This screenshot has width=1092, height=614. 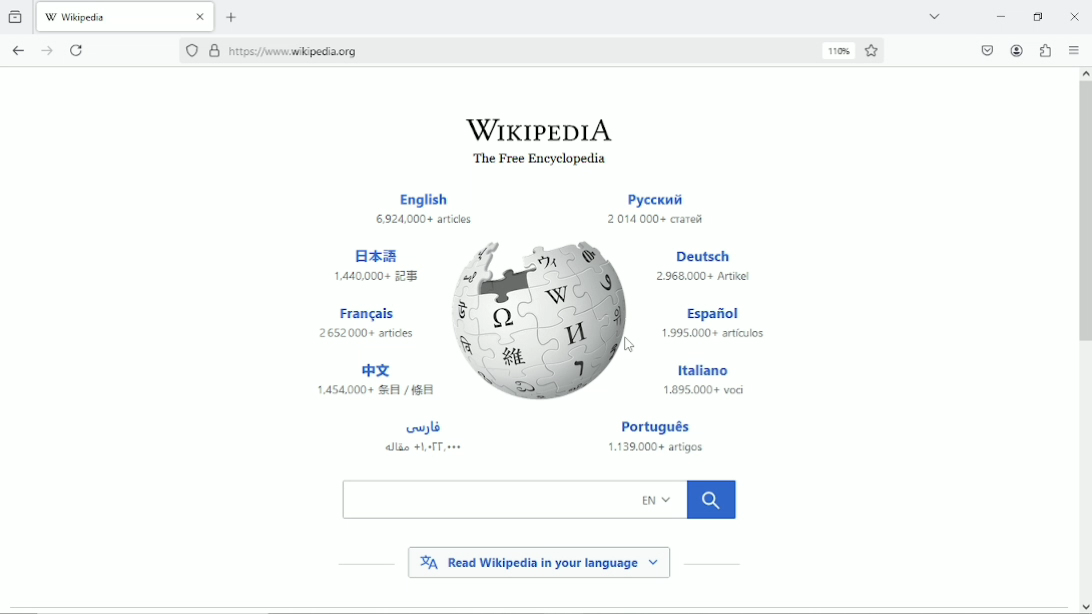 I want to click on account, so click(x=1016, y=50).